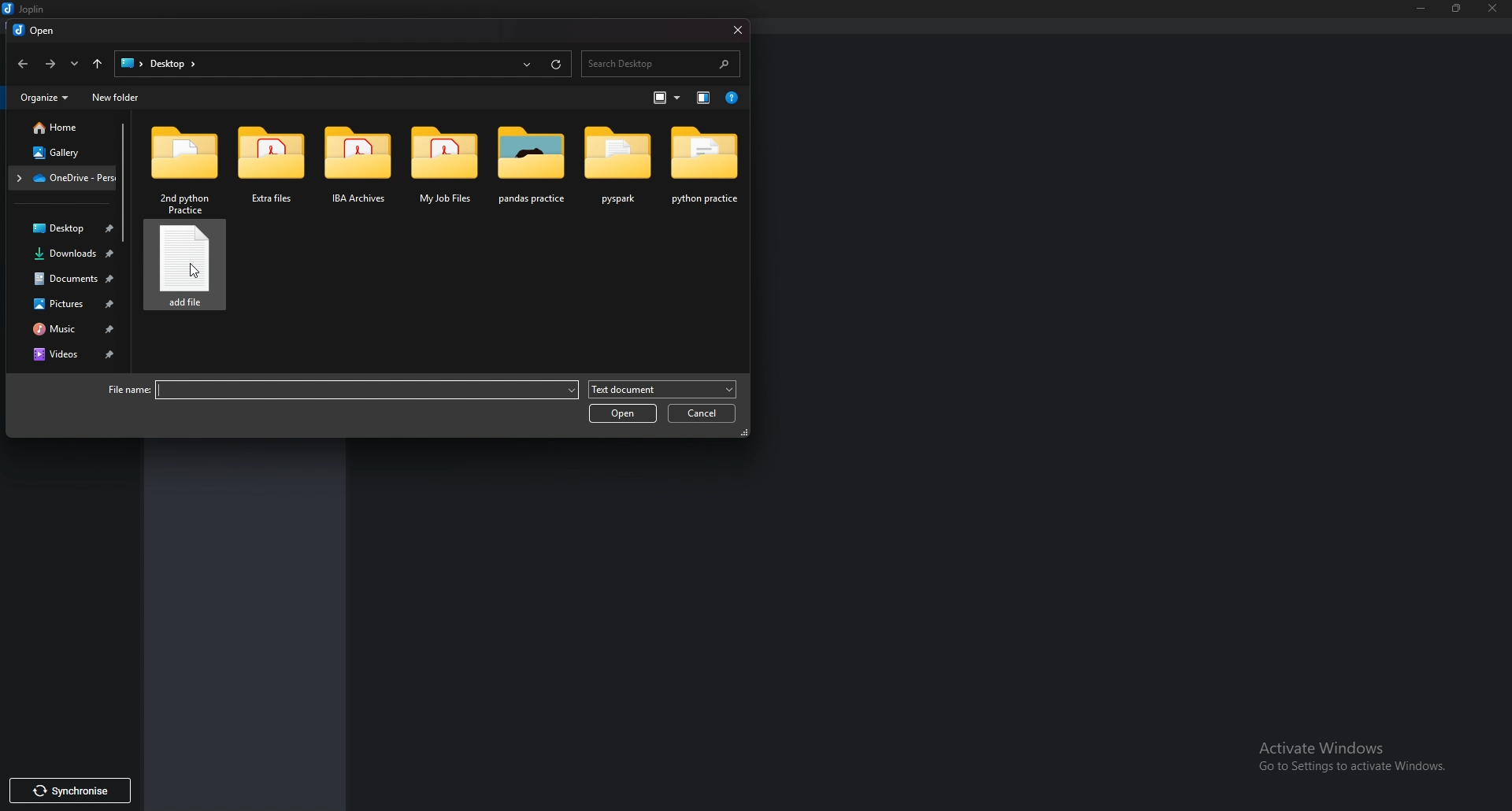  I want to click on Folder, so click(66, 178).